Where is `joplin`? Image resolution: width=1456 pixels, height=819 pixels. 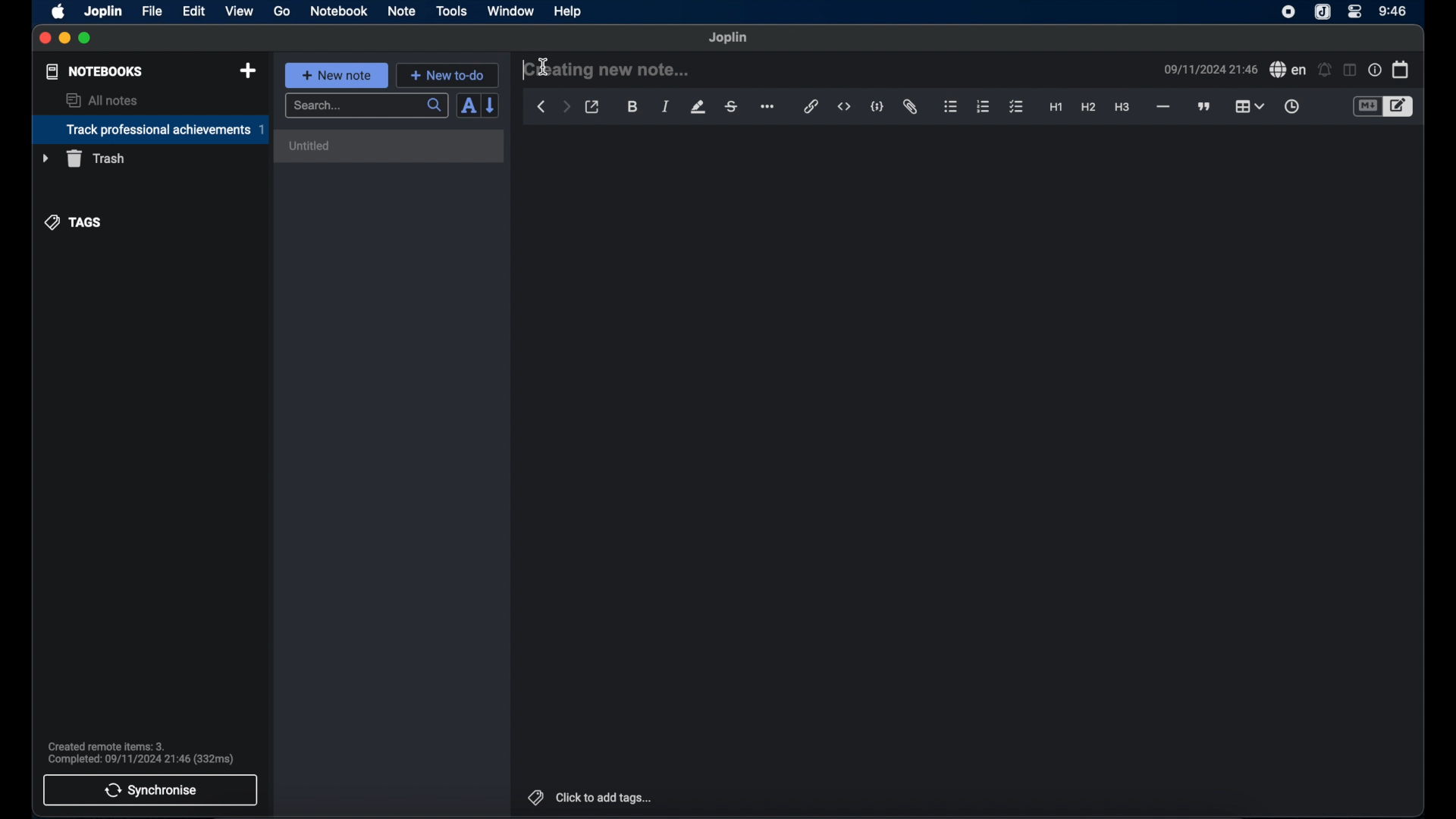
joplin is located at coordinates (1323, 13).